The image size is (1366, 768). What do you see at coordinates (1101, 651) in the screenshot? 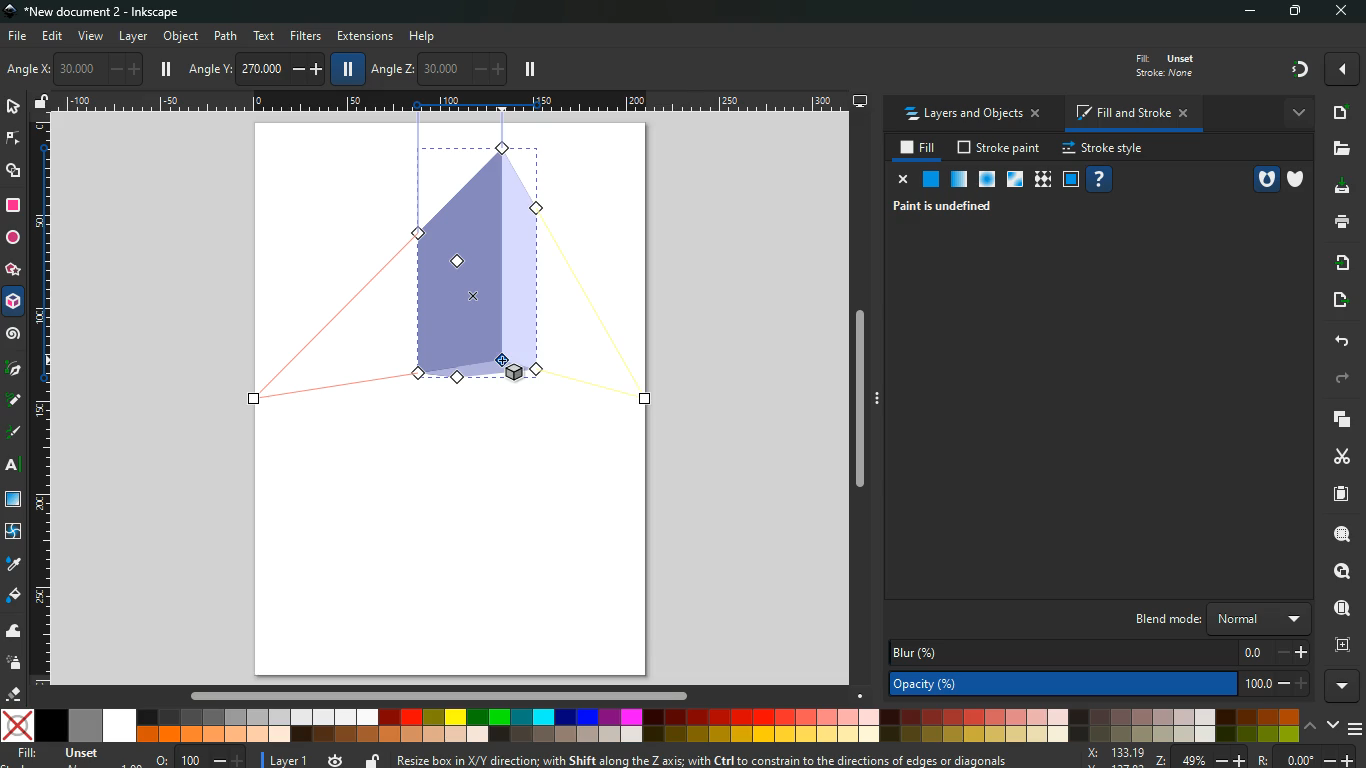
I see `blur` at bounding box center [1101, 651].